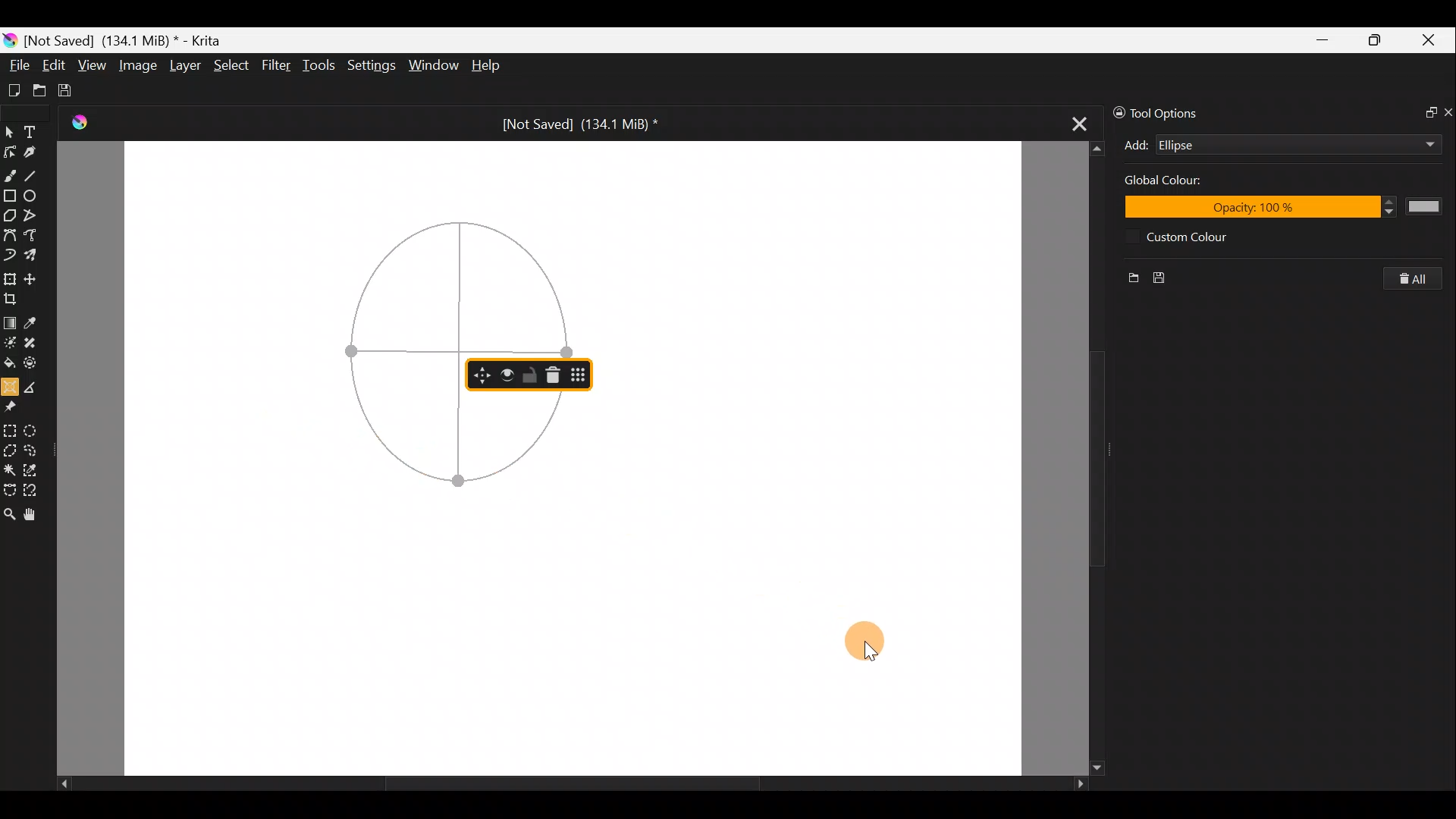 This screenshot has width=1456, height=819. Describe the element at coordinates (93, 66) in the screenshot. I see `View` at that location.